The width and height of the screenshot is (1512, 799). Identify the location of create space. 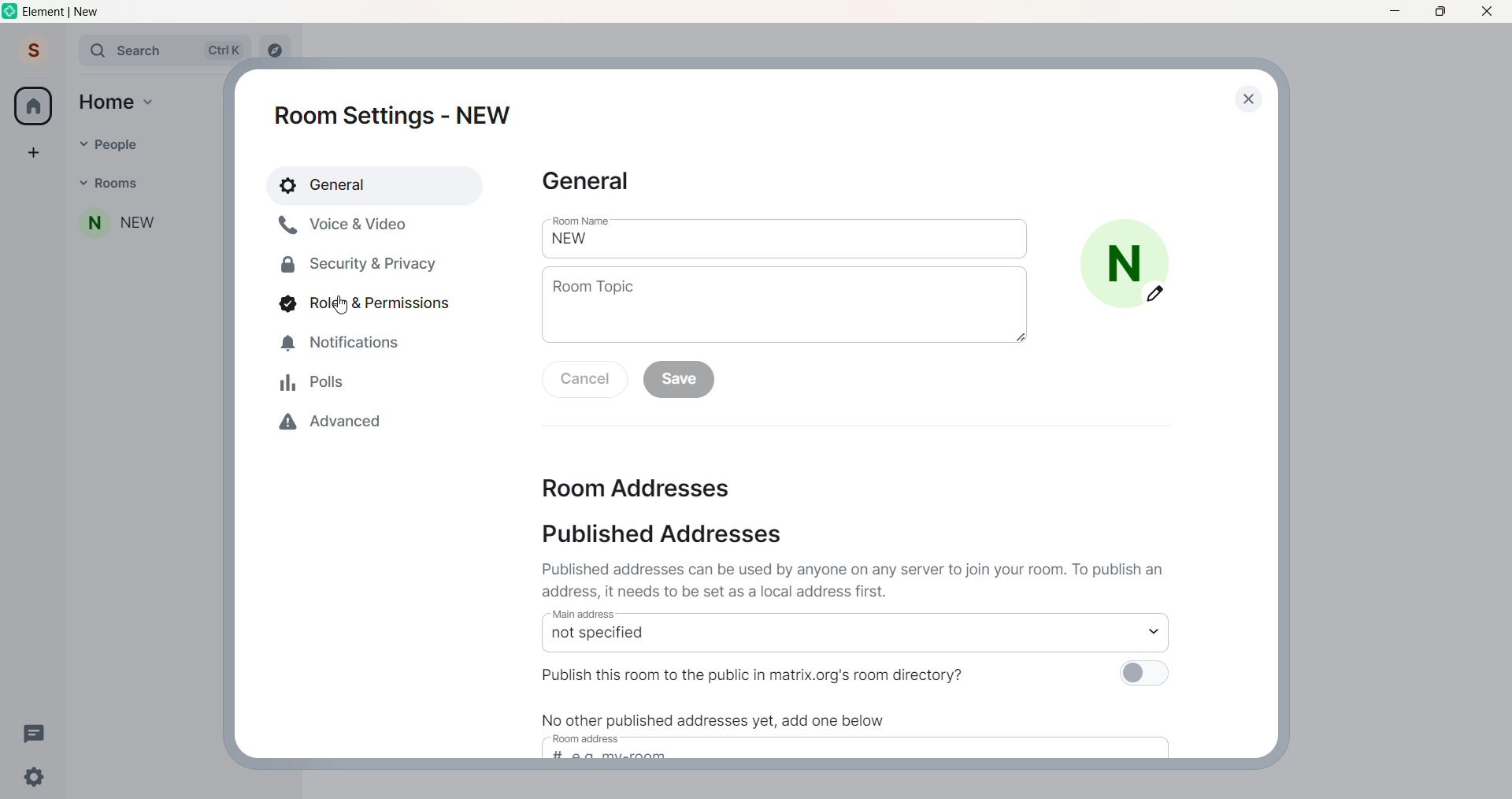
(32, 147).